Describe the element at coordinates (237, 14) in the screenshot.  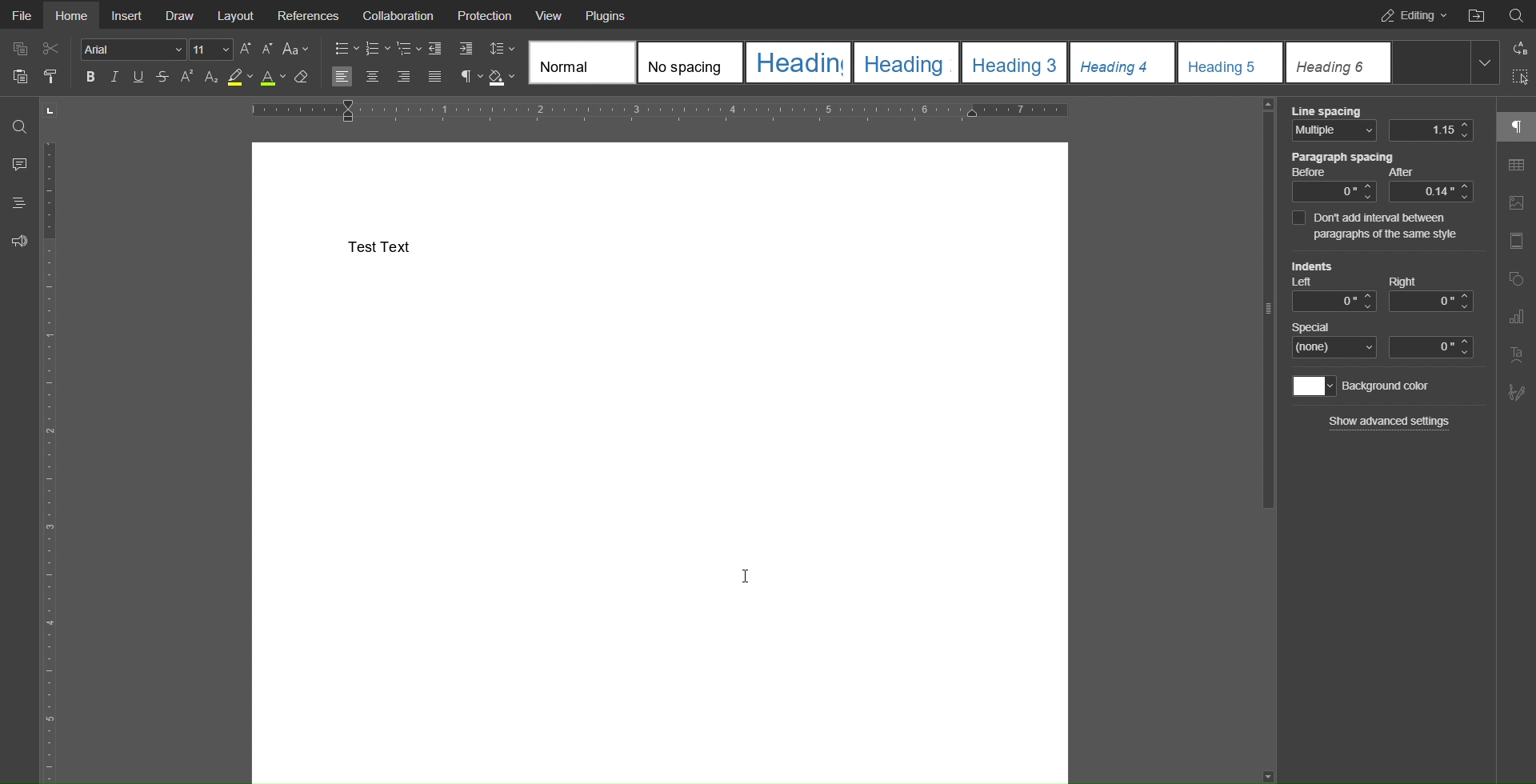
I see `Layout` at that location.